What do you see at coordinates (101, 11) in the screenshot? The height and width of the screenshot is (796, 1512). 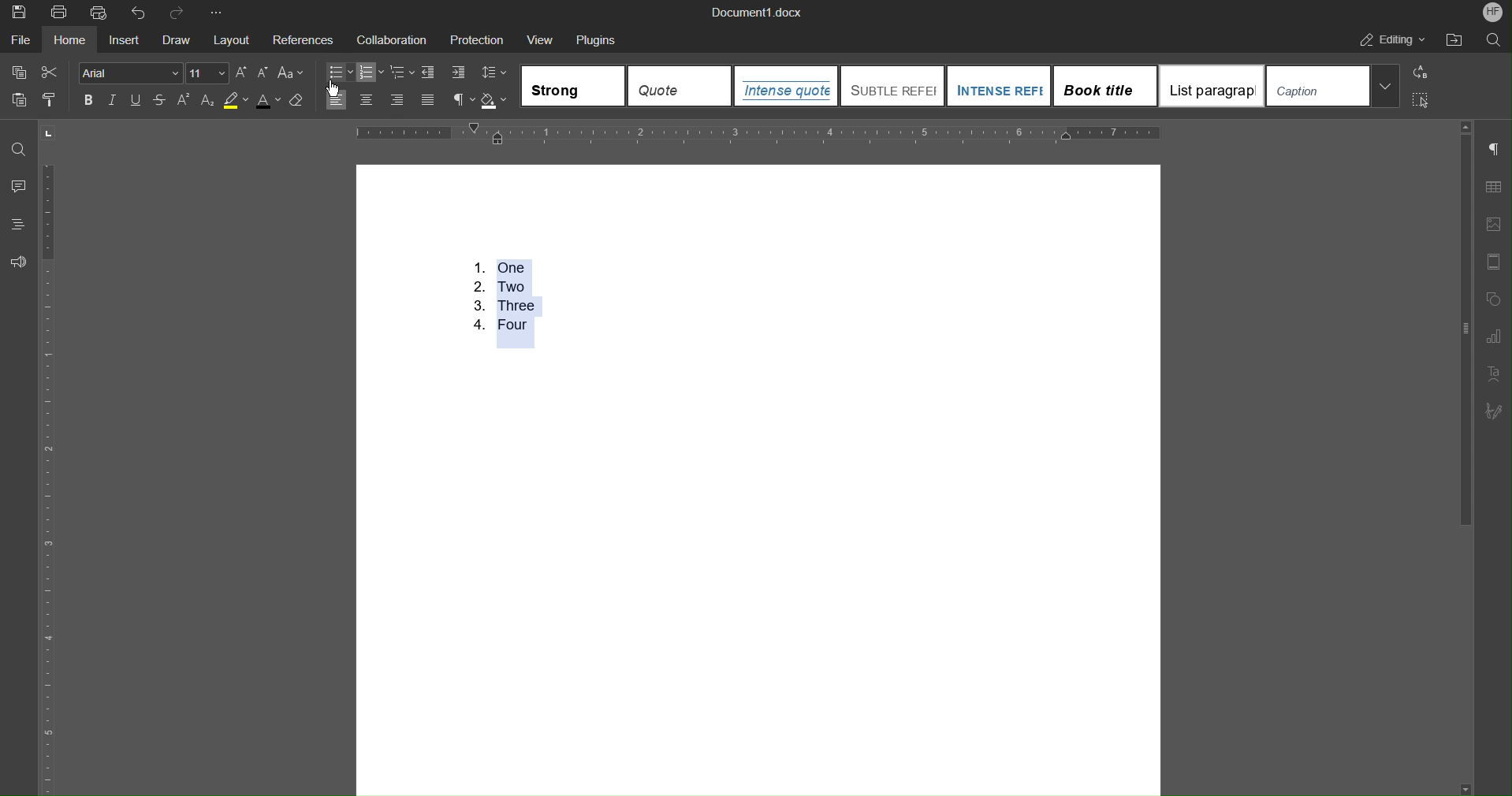 I see `Quick Print` at bounding box center [101, 11].